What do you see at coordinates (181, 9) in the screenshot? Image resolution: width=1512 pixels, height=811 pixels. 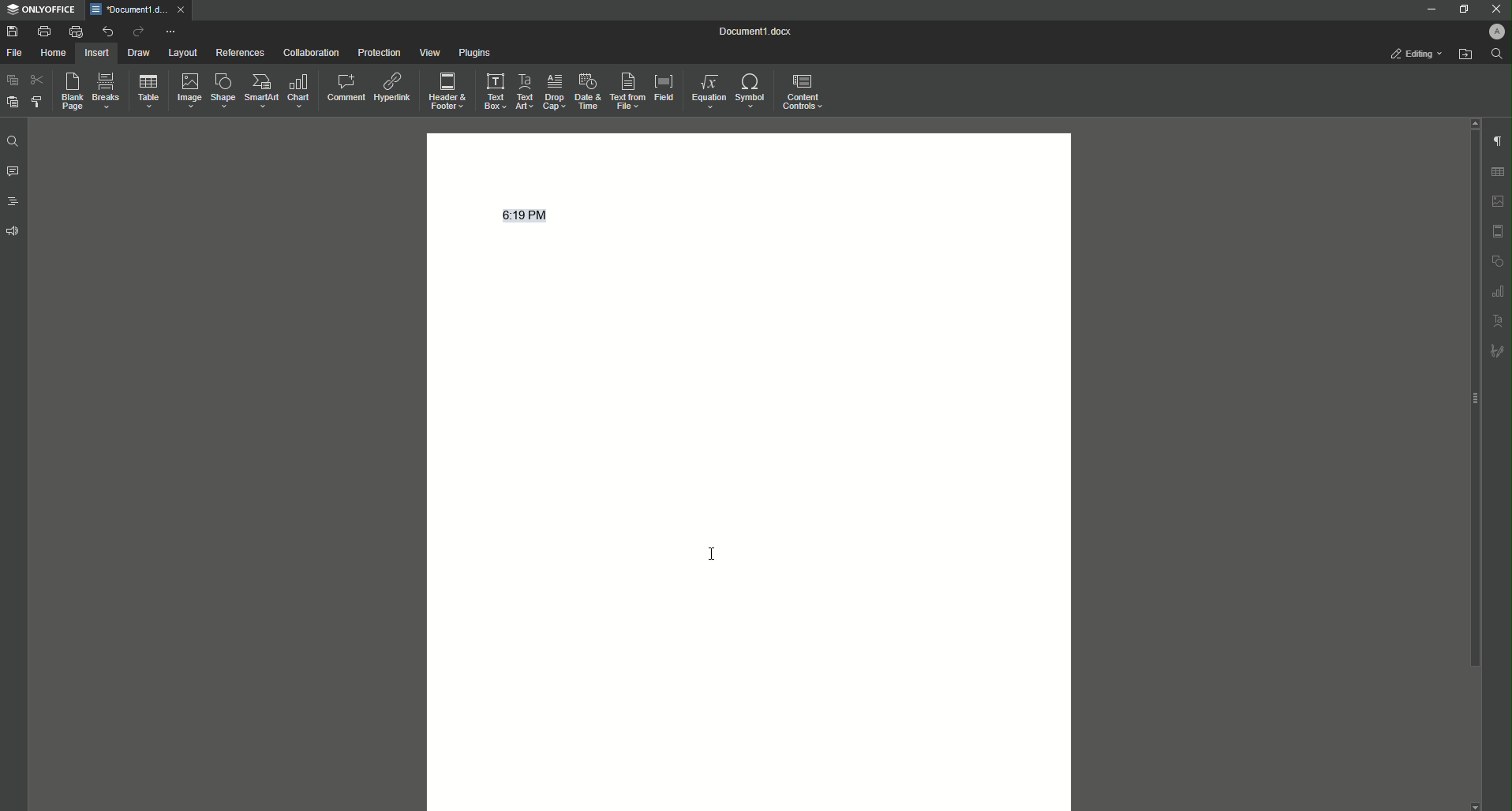 I see `close` at bounding box center [181, 9].